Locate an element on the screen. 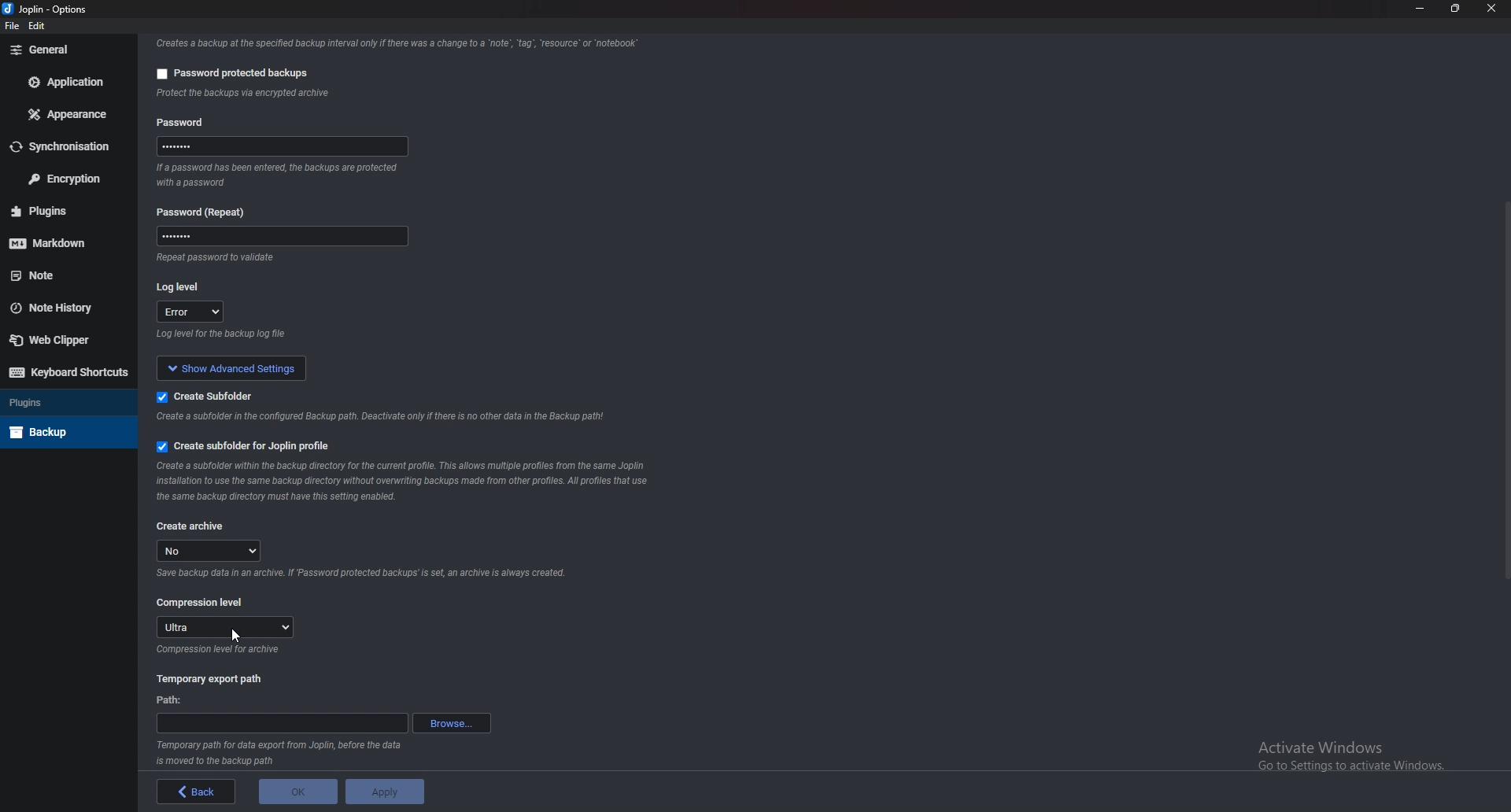 This screenshot has height=812, width=1511. error is located at coordinates (192, 313).